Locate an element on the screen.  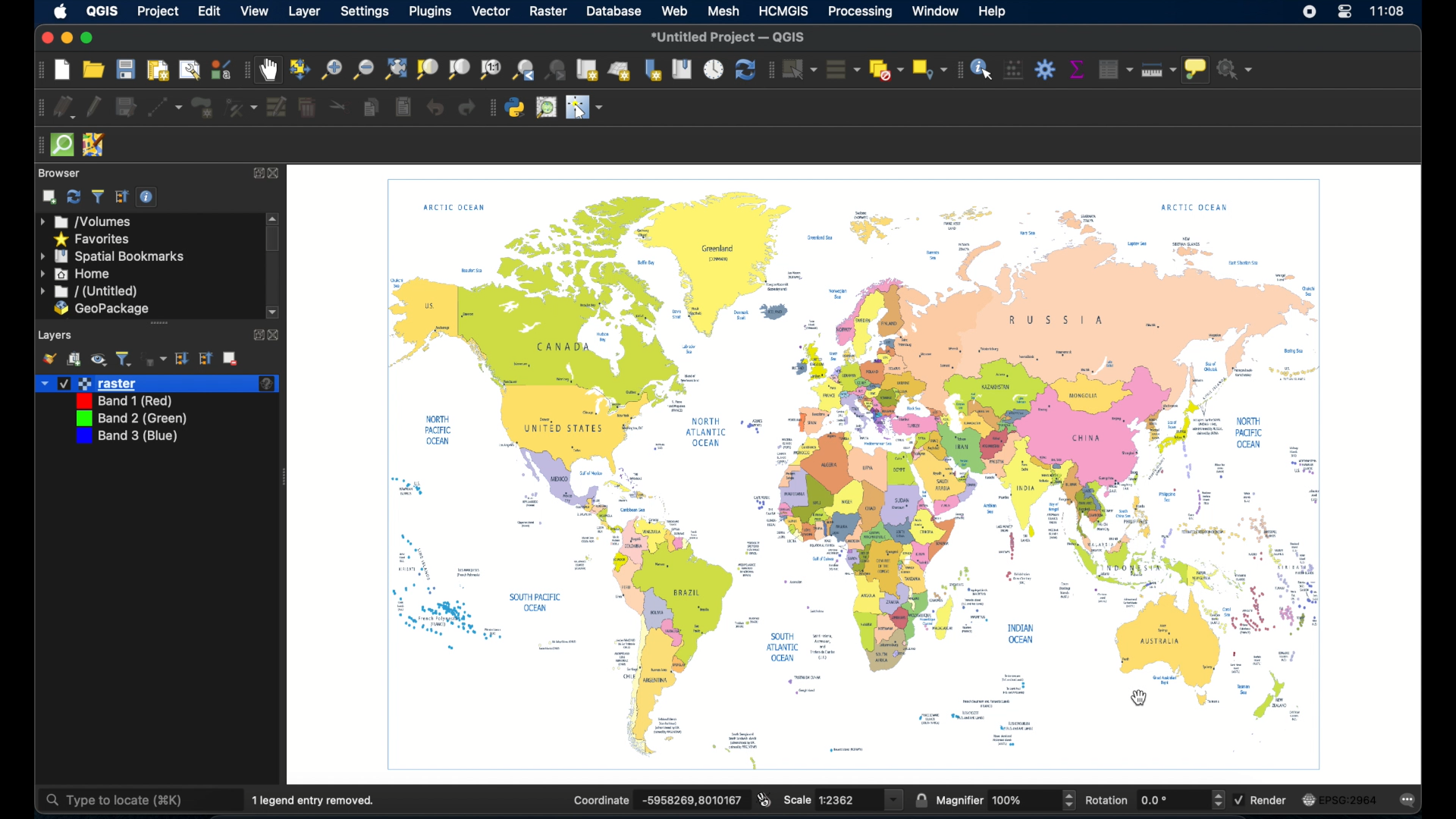
layer is located at coordinates (306, 14).